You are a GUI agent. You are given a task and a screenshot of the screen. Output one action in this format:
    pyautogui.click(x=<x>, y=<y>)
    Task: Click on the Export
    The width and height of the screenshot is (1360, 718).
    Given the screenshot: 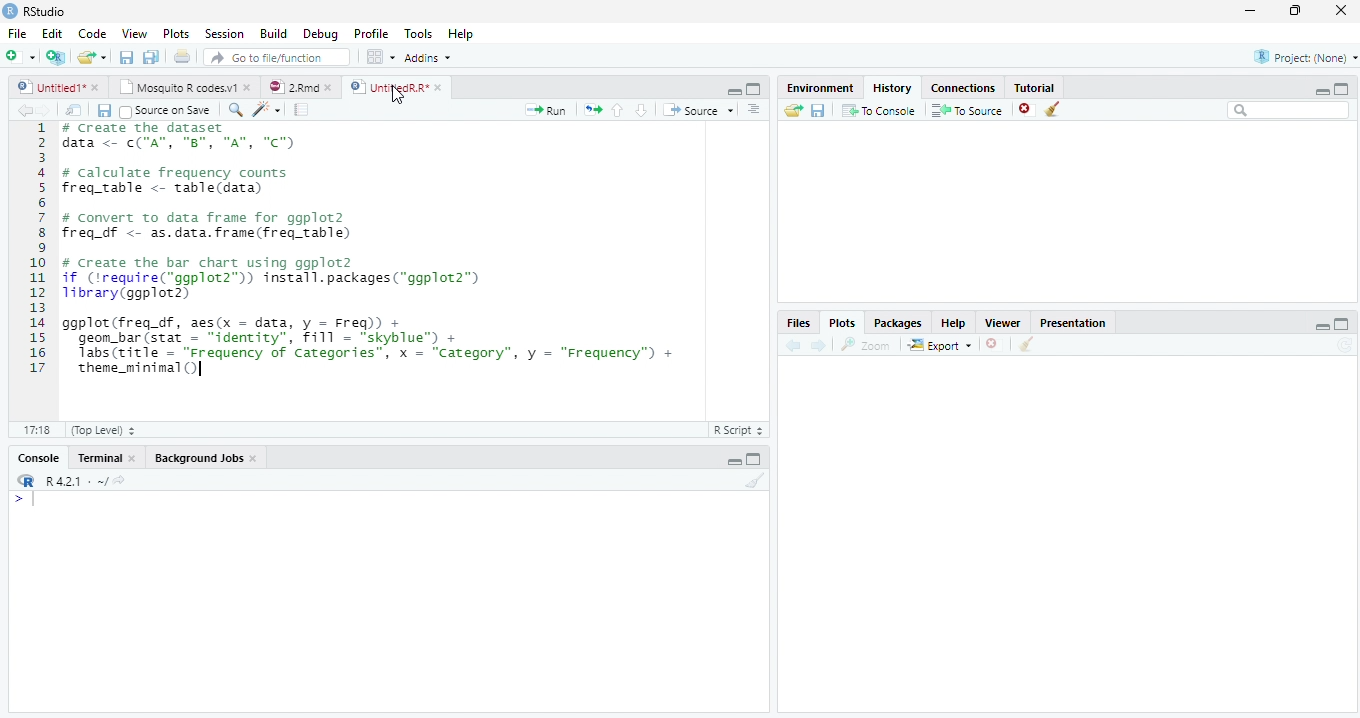 What is the action you would take?
    pyautogui.click(x=938, y=345)
    